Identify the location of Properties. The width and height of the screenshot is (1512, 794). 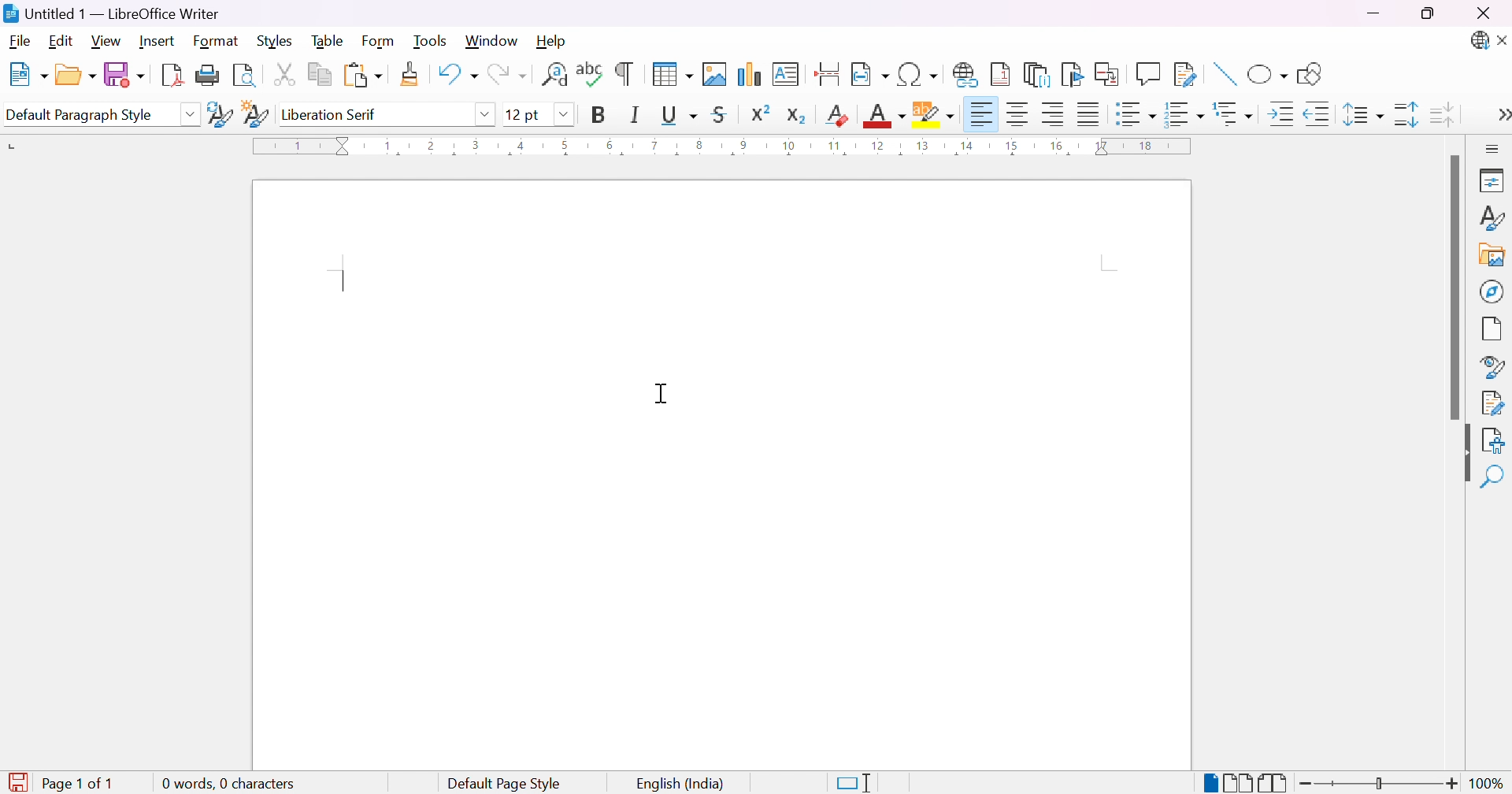
(1494, 180).